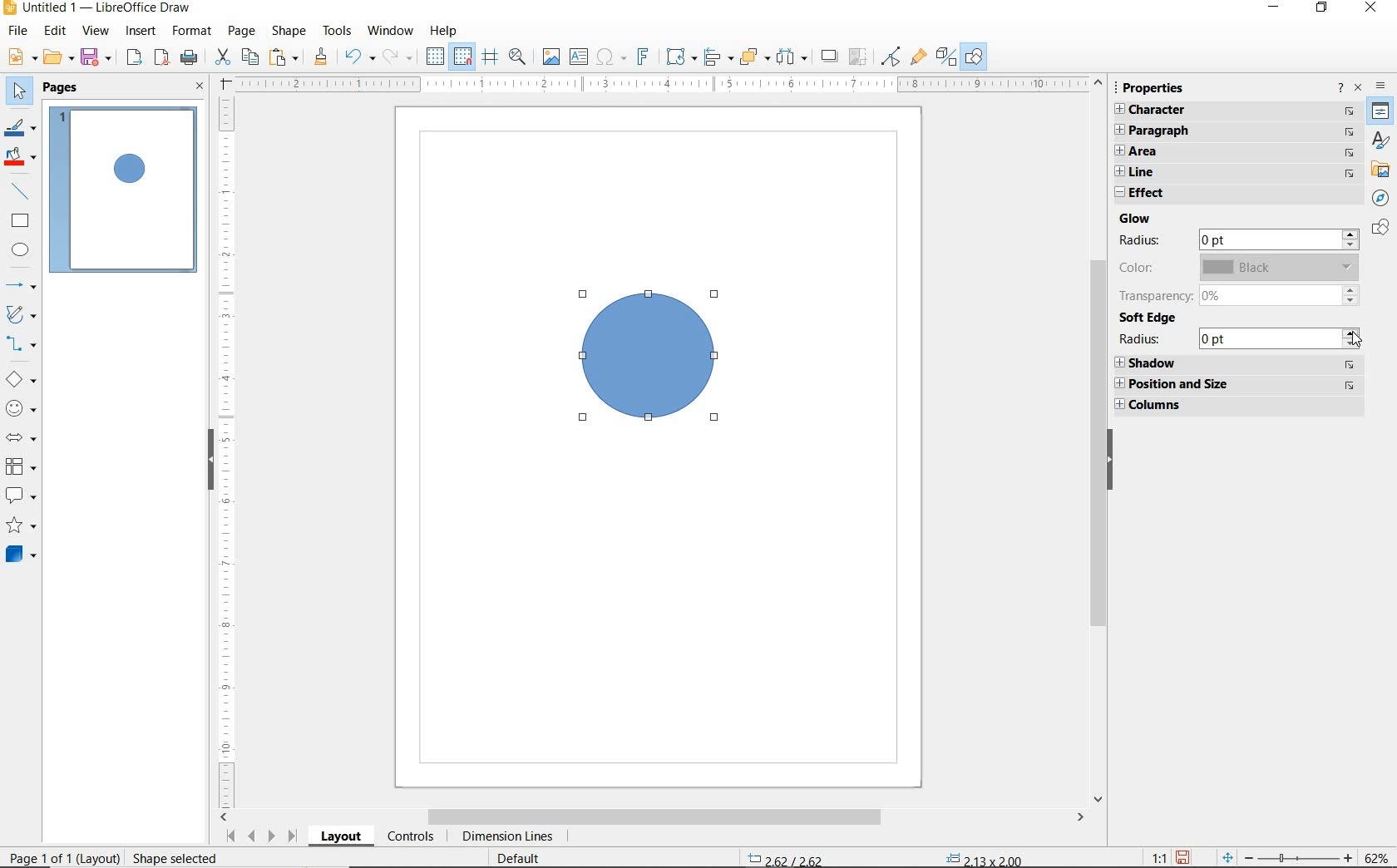 This screenshot has width=1397, height=868. I want to click on FILE, so click(21, 31).